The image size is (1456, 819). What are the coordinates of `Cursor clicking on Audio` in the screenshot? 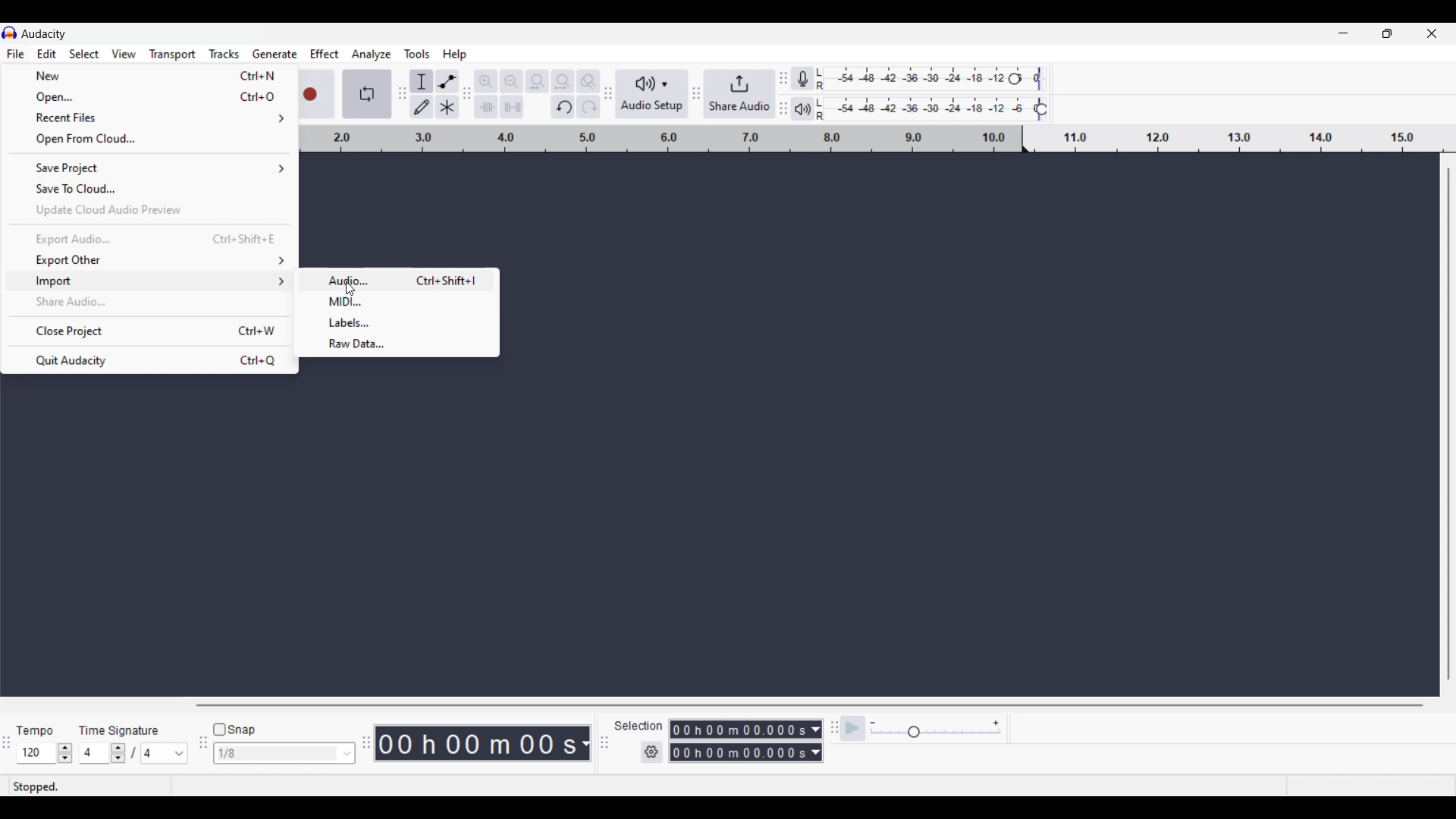 It's located at (350, 288).